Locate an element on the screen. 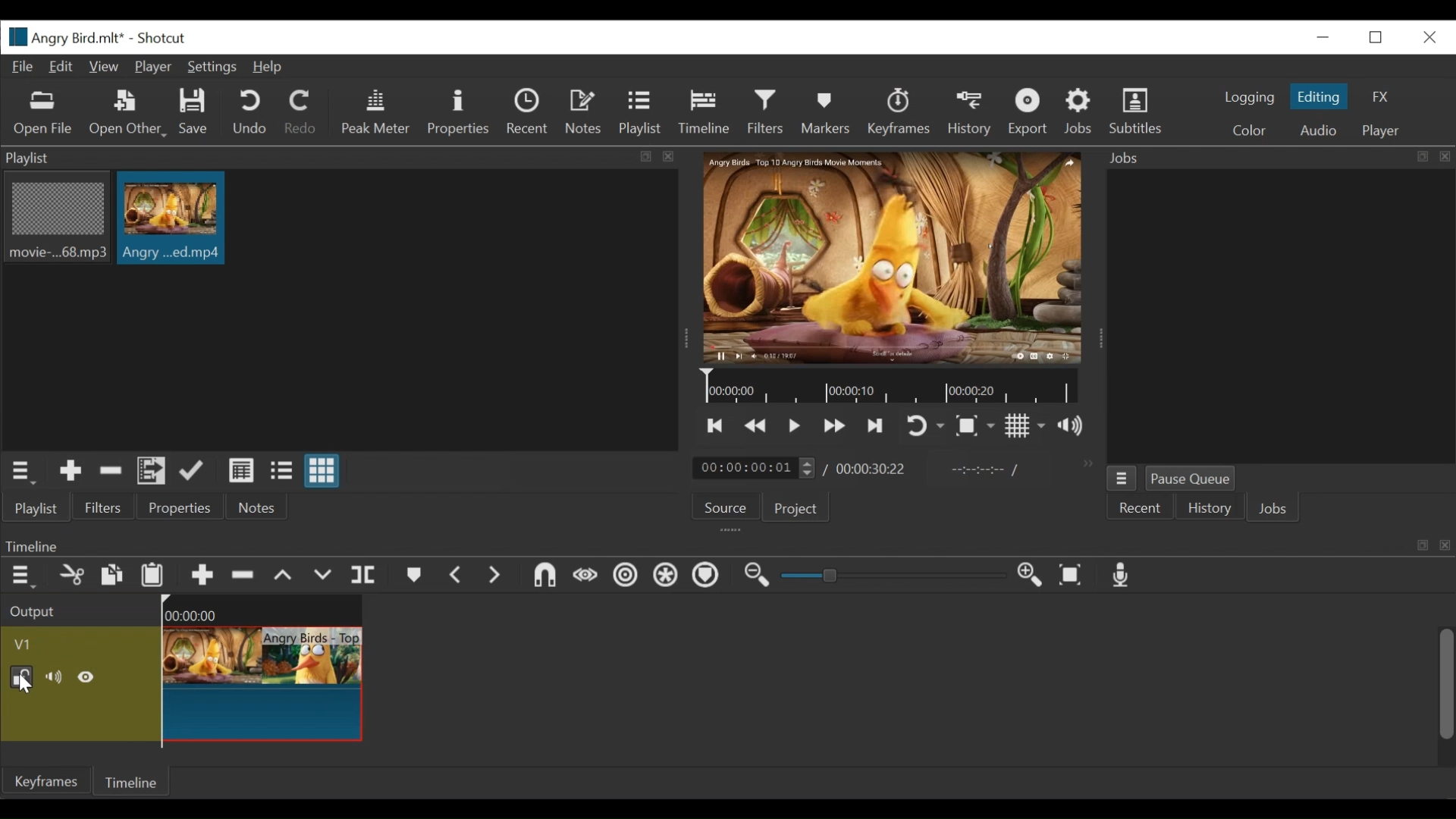 Image resolution: width=1456 pixels, height=819 pixels. Open File is located at coordinates (43, 115).